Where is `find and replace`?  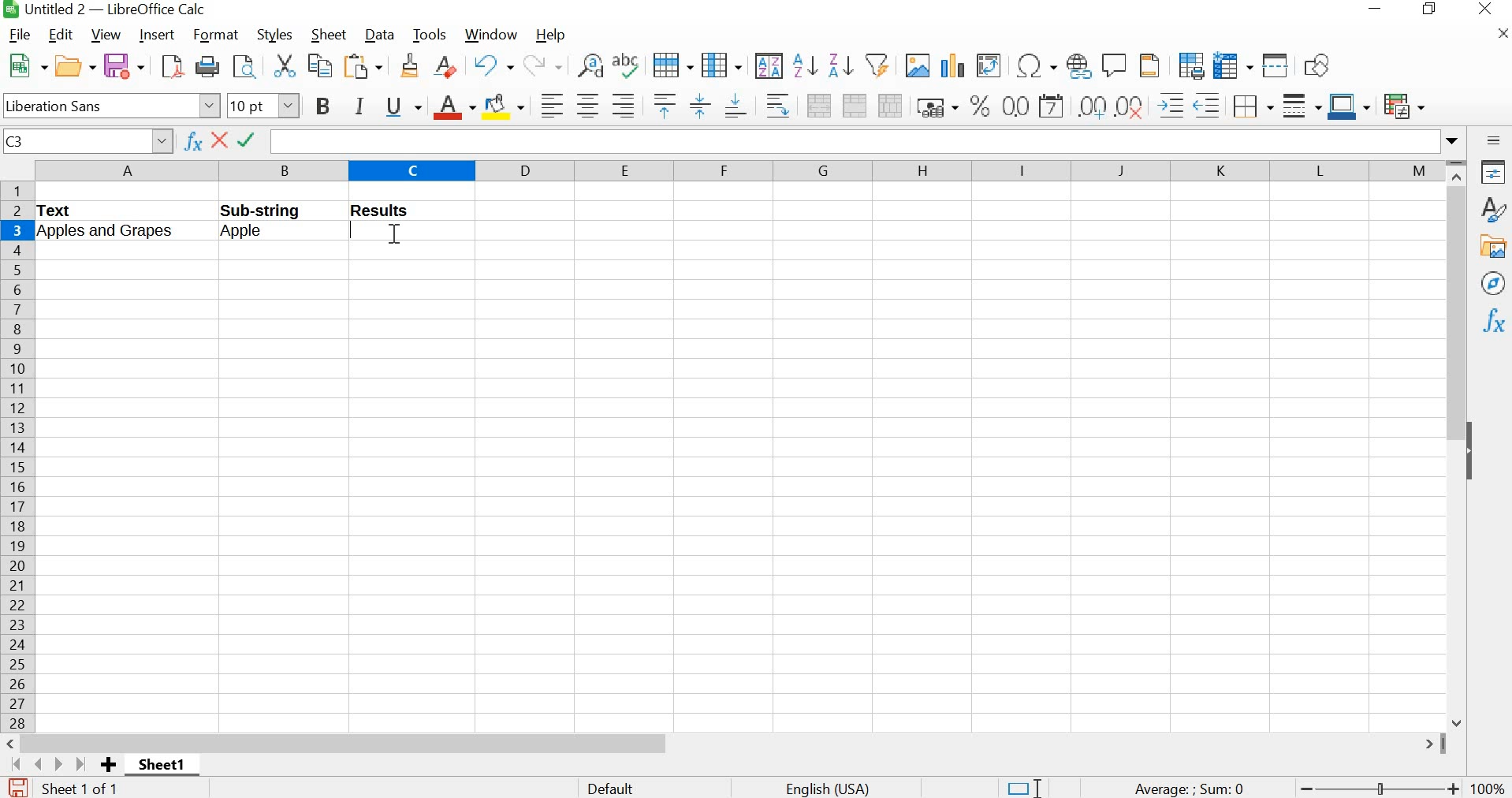 find and replace is located at coordinates (587, 63).